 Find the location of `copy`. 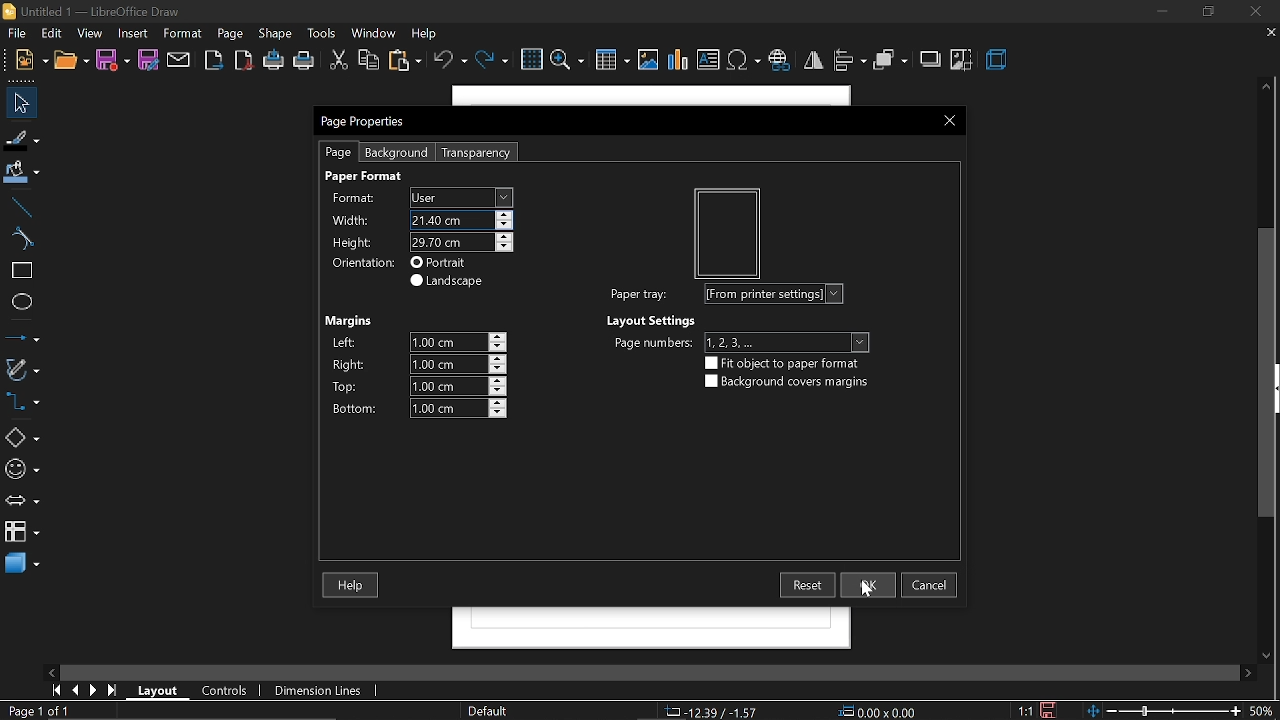

copy is located at coordinates (368, 61).